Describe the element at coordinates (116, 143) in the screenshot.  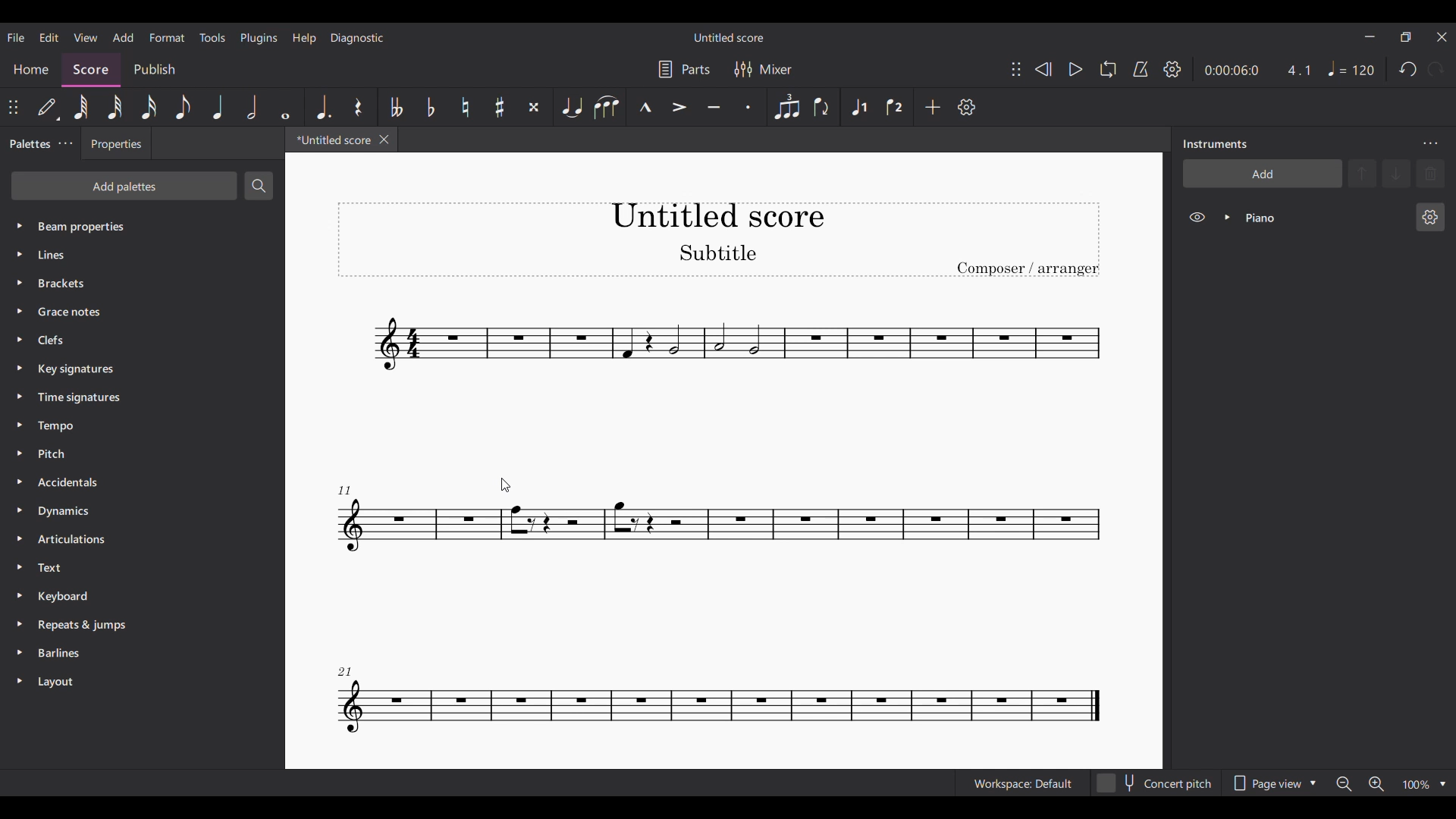
I see `Properties panel` at that location.